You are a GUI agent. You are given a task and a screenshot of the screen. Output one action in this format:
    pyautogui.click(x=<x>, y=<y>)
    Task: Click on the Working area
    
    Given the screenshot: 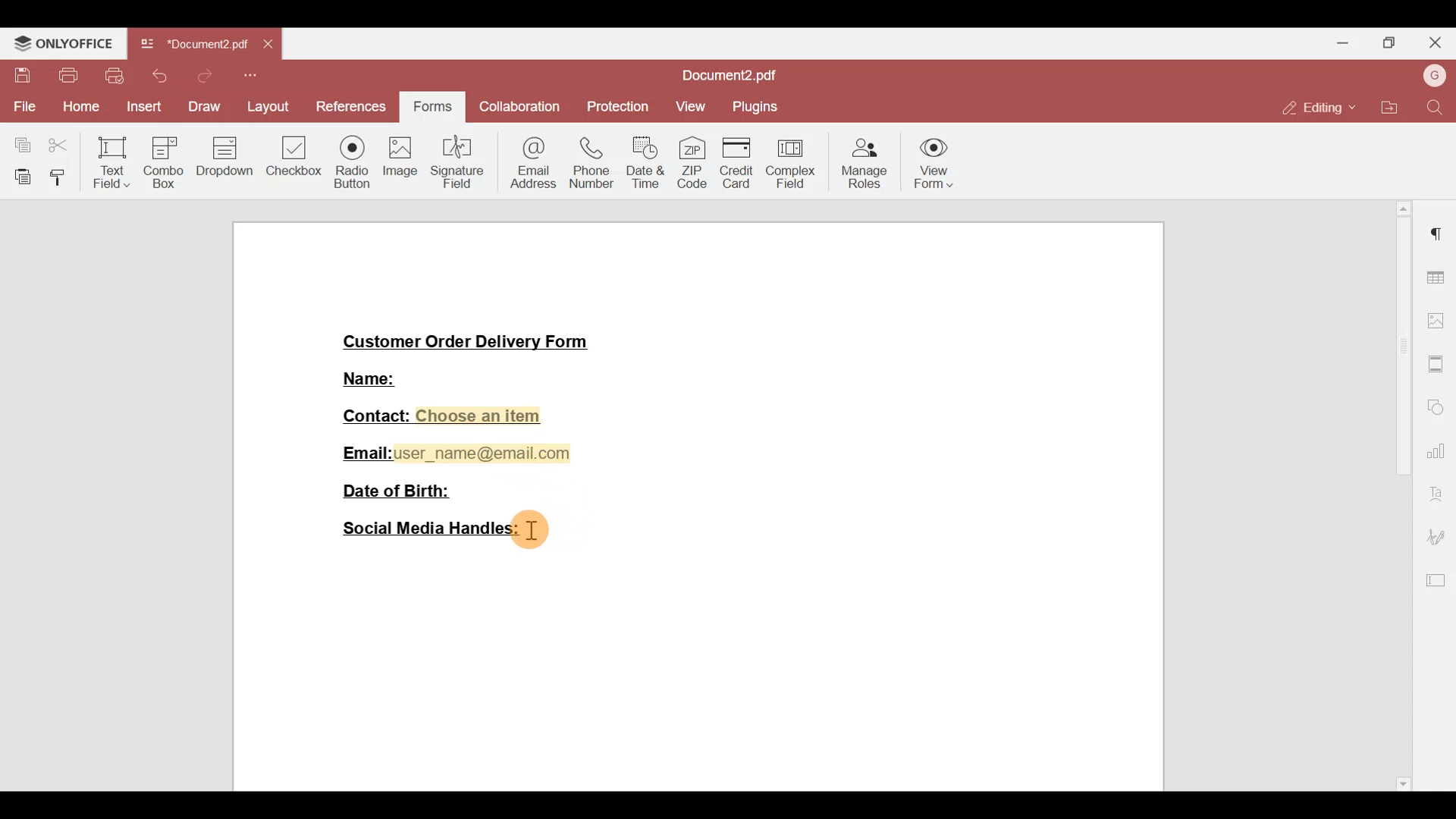 What is the action you would take?
    pyautogui.click(x=702, y=670)
    